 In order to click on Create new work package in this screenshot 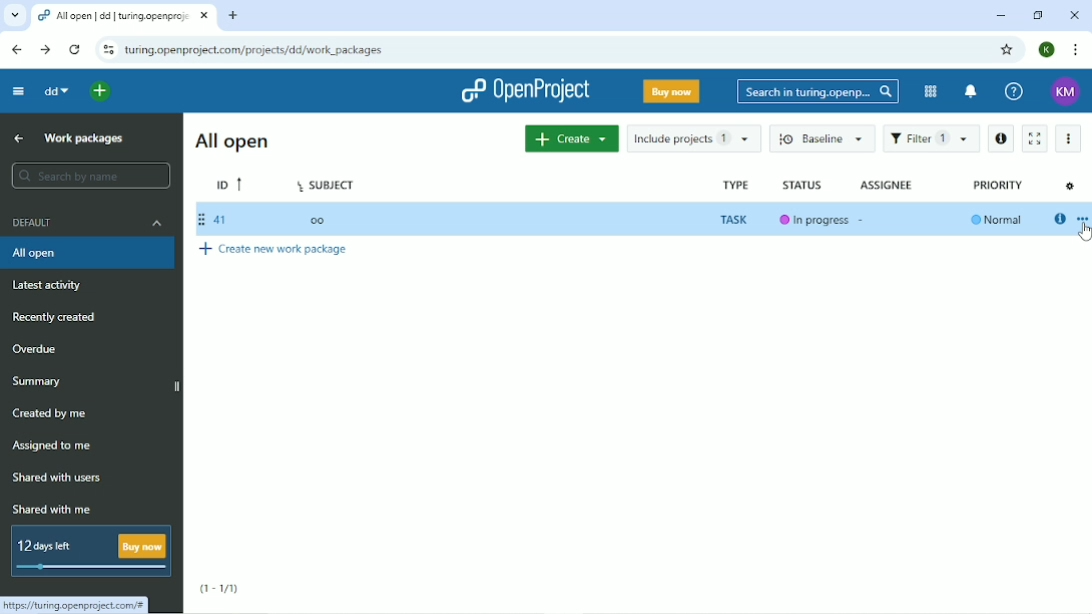, I will do `click(275, 249)`.